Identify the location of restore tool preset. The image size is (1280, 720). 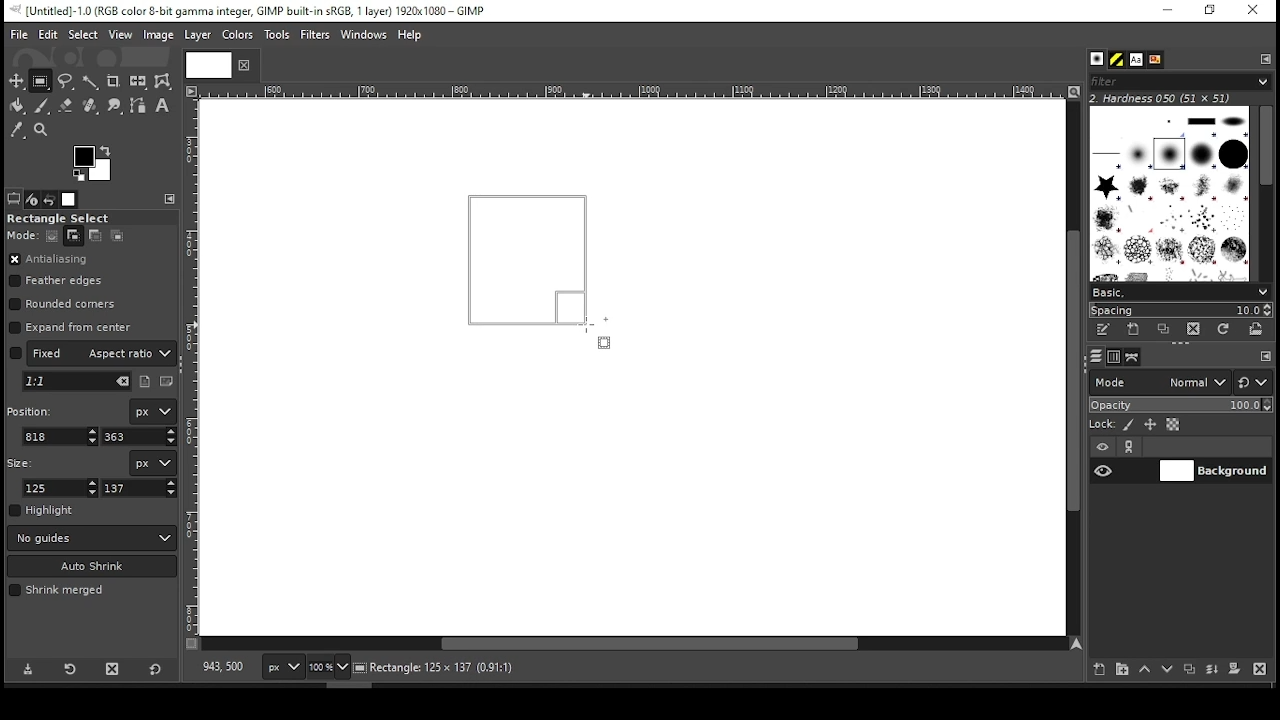
(72, 667).